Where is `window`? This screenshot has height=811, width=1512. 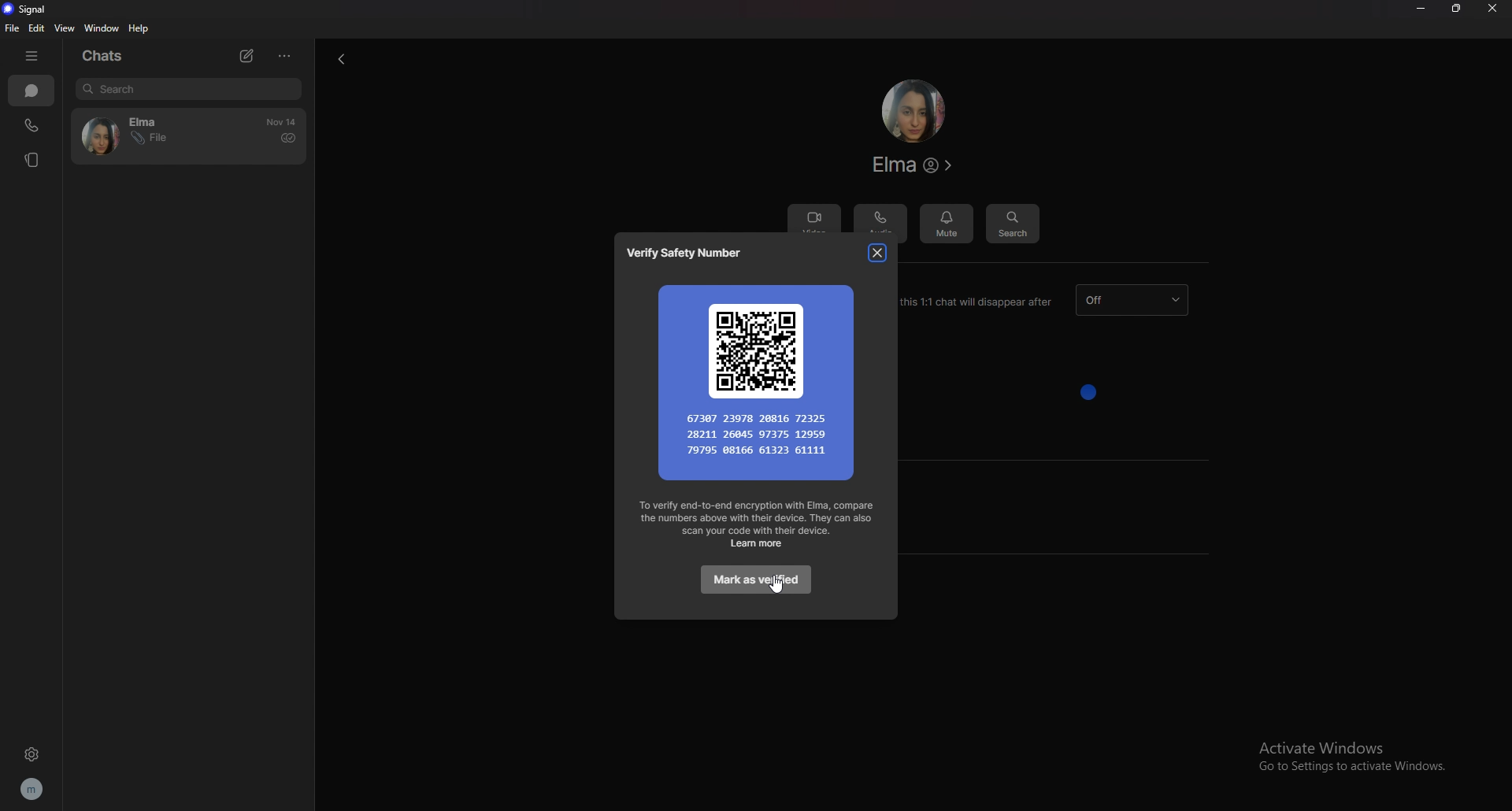
window is located at coordinates (103, 28).